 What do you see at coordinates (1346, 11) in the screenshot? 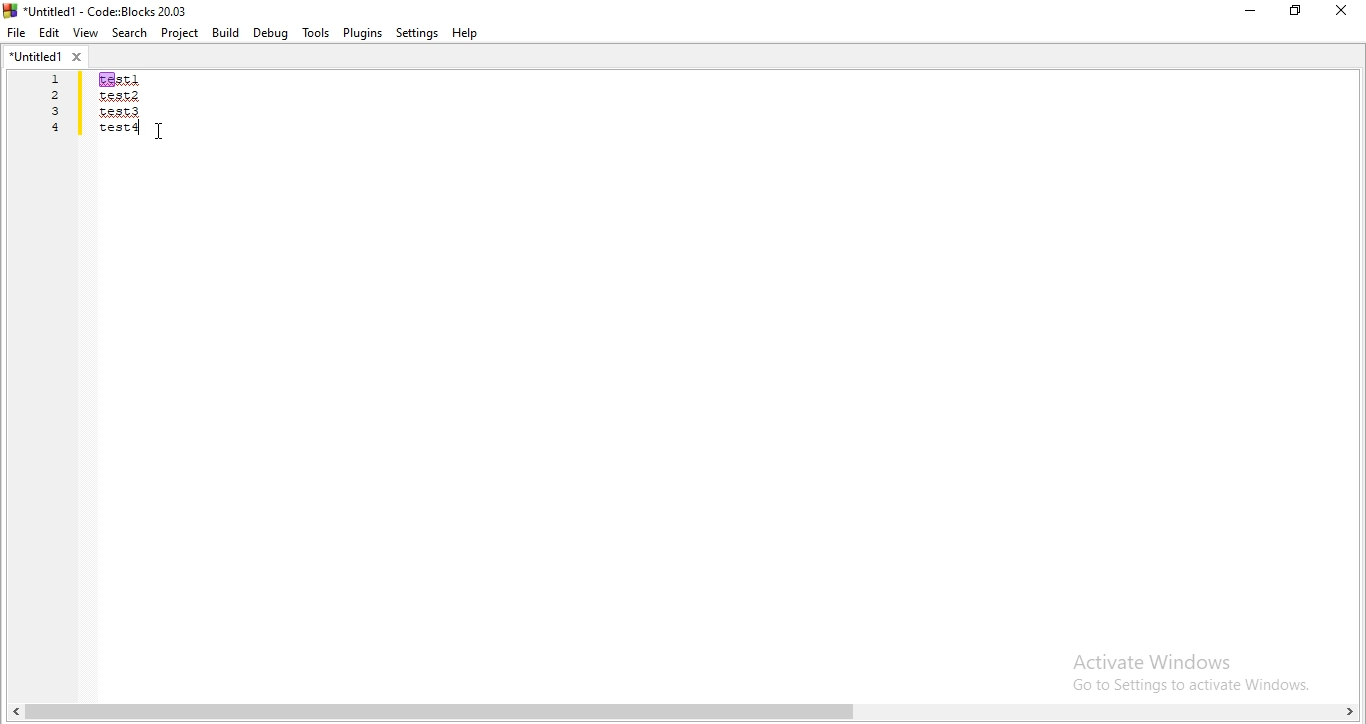
I see `close` at bounding box center [1346, 11].